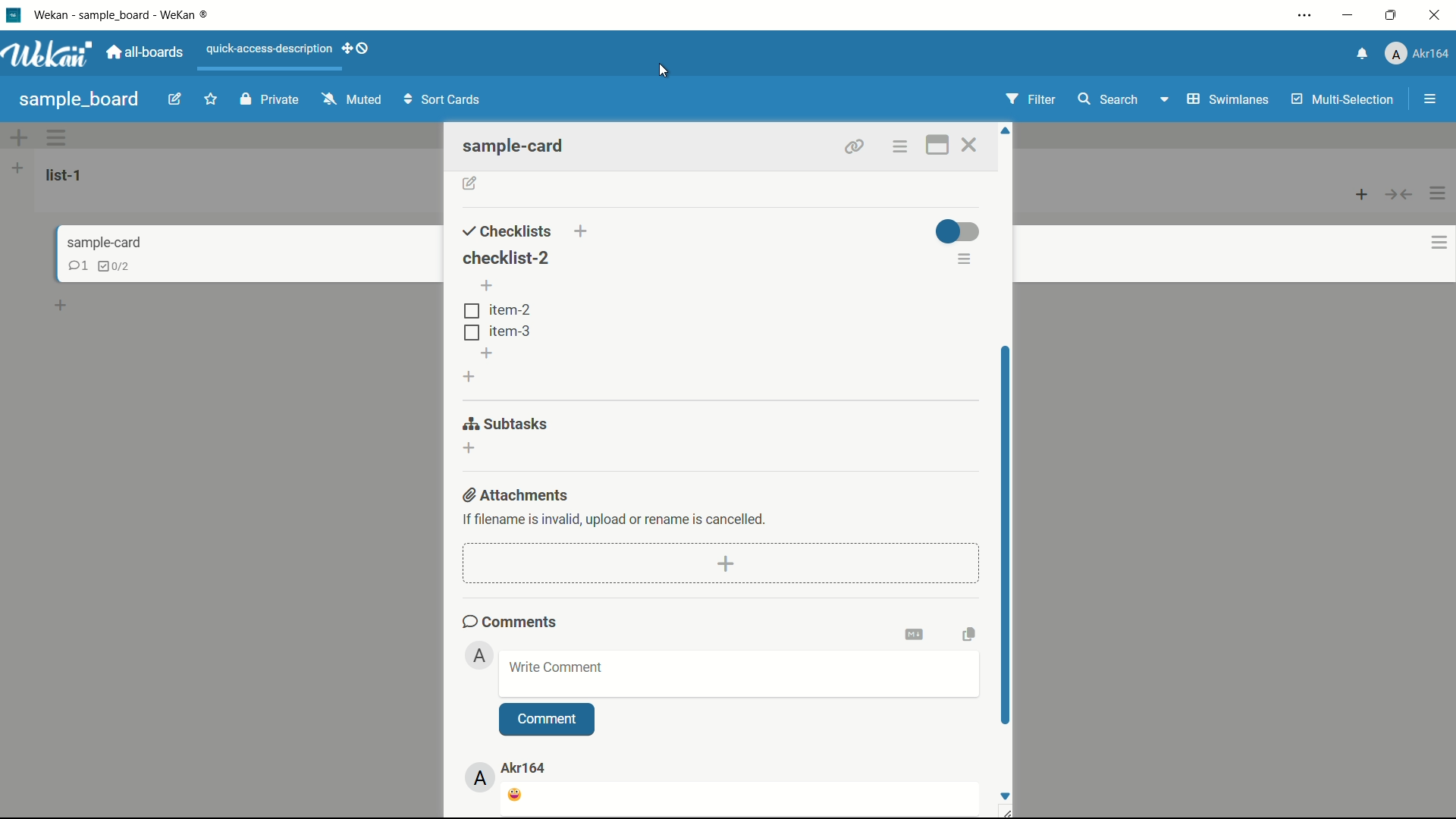 The width and height of the screenshot is (1456, 819). I want to click on private, so click(269, 100).